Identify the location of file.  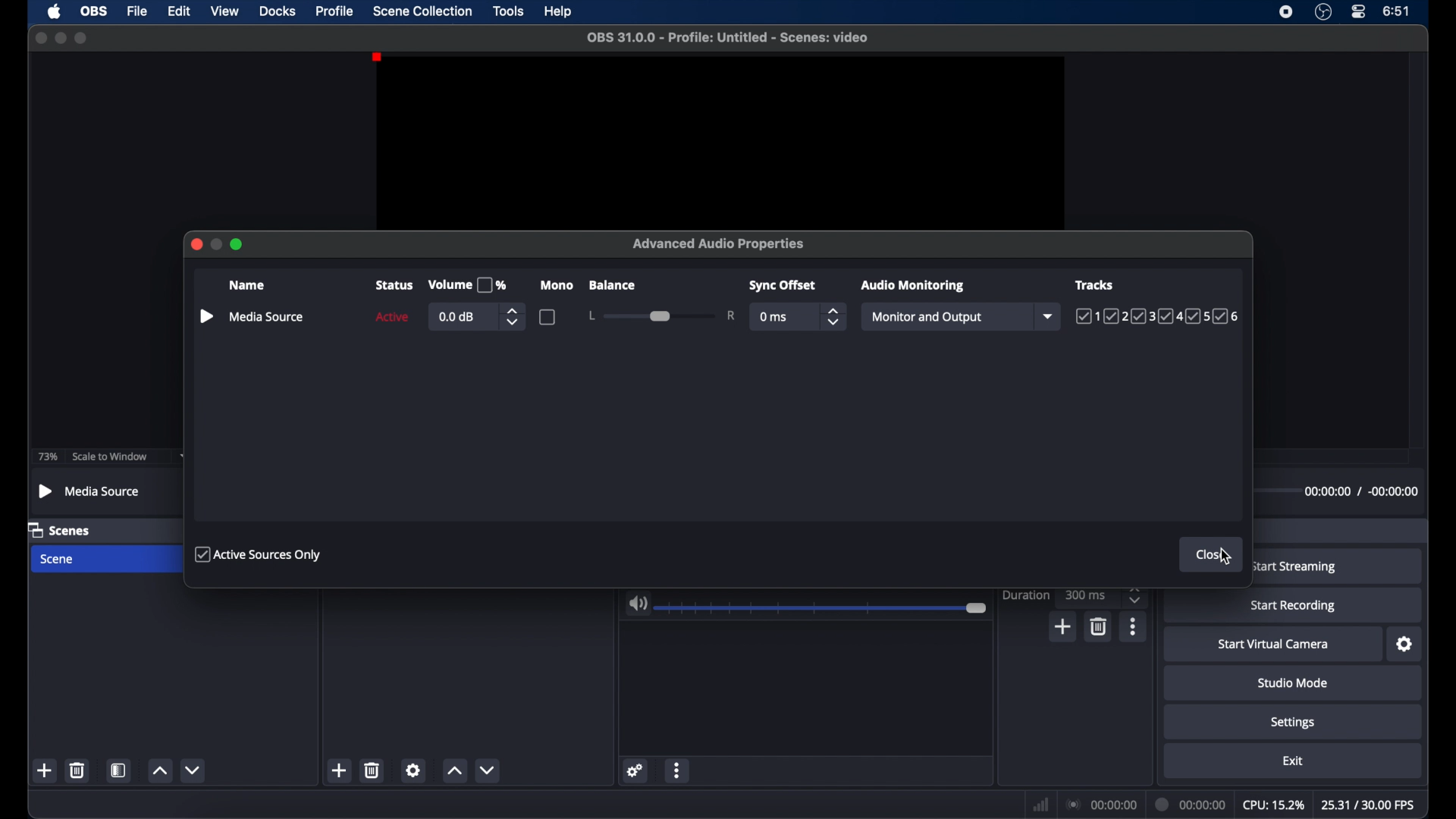
(137, 11).